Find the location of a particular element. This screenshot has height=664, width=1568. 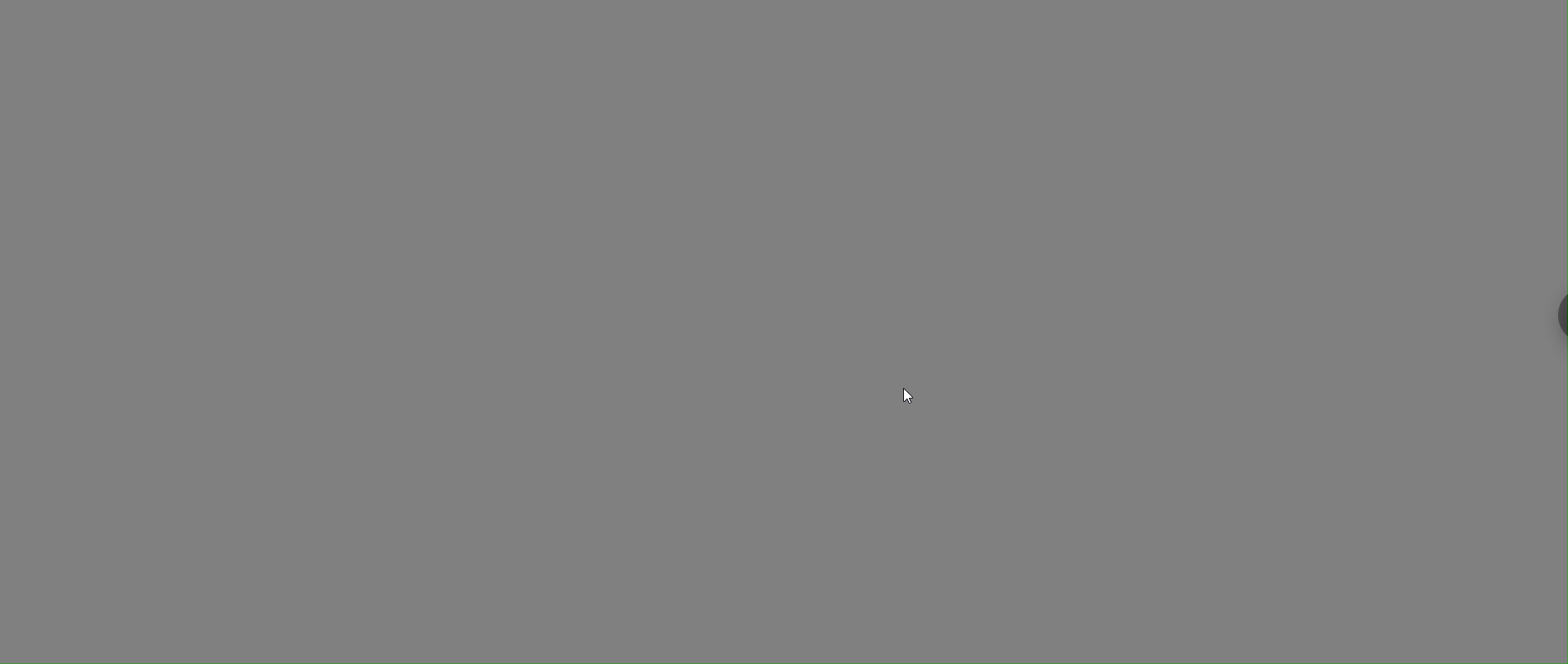

cursor is located at coordinates (906, 393).